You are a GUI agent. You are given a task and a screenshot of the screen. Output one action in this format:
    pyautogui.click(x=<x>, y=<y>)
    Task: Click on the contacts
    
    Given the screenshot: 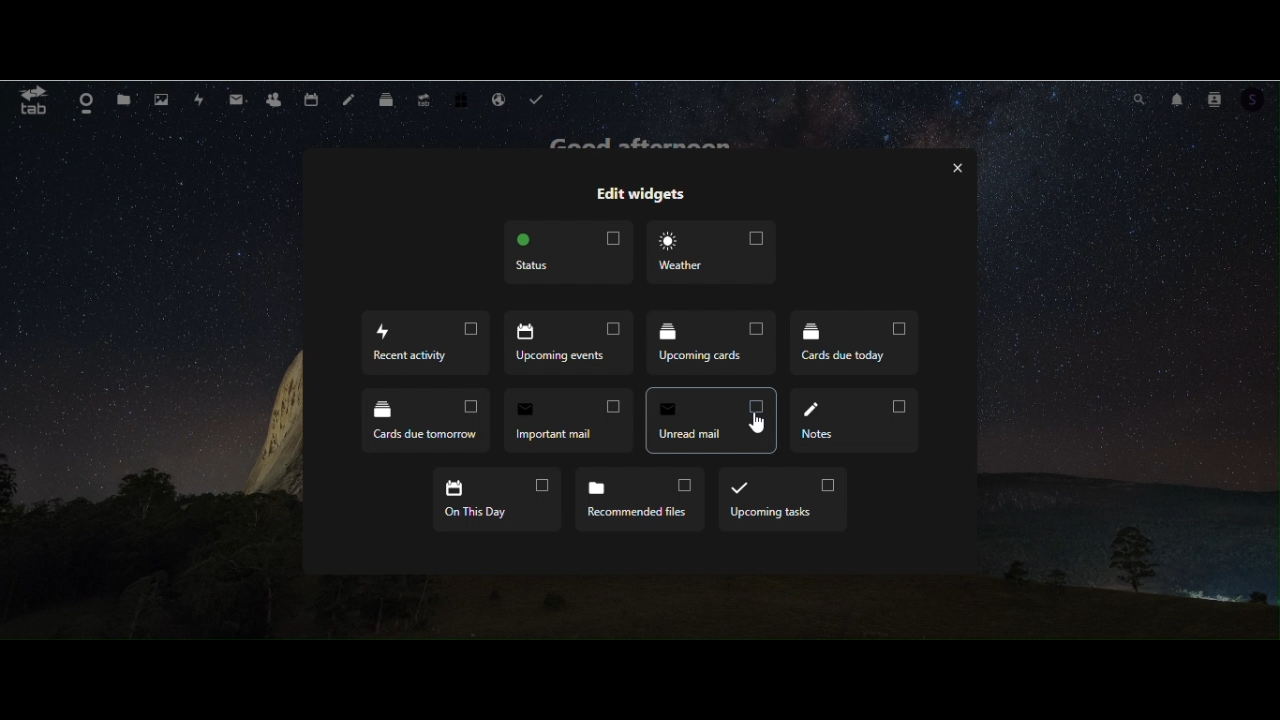 What is the action you would take?
    pyautogui.click(x=1218, y=97)
    